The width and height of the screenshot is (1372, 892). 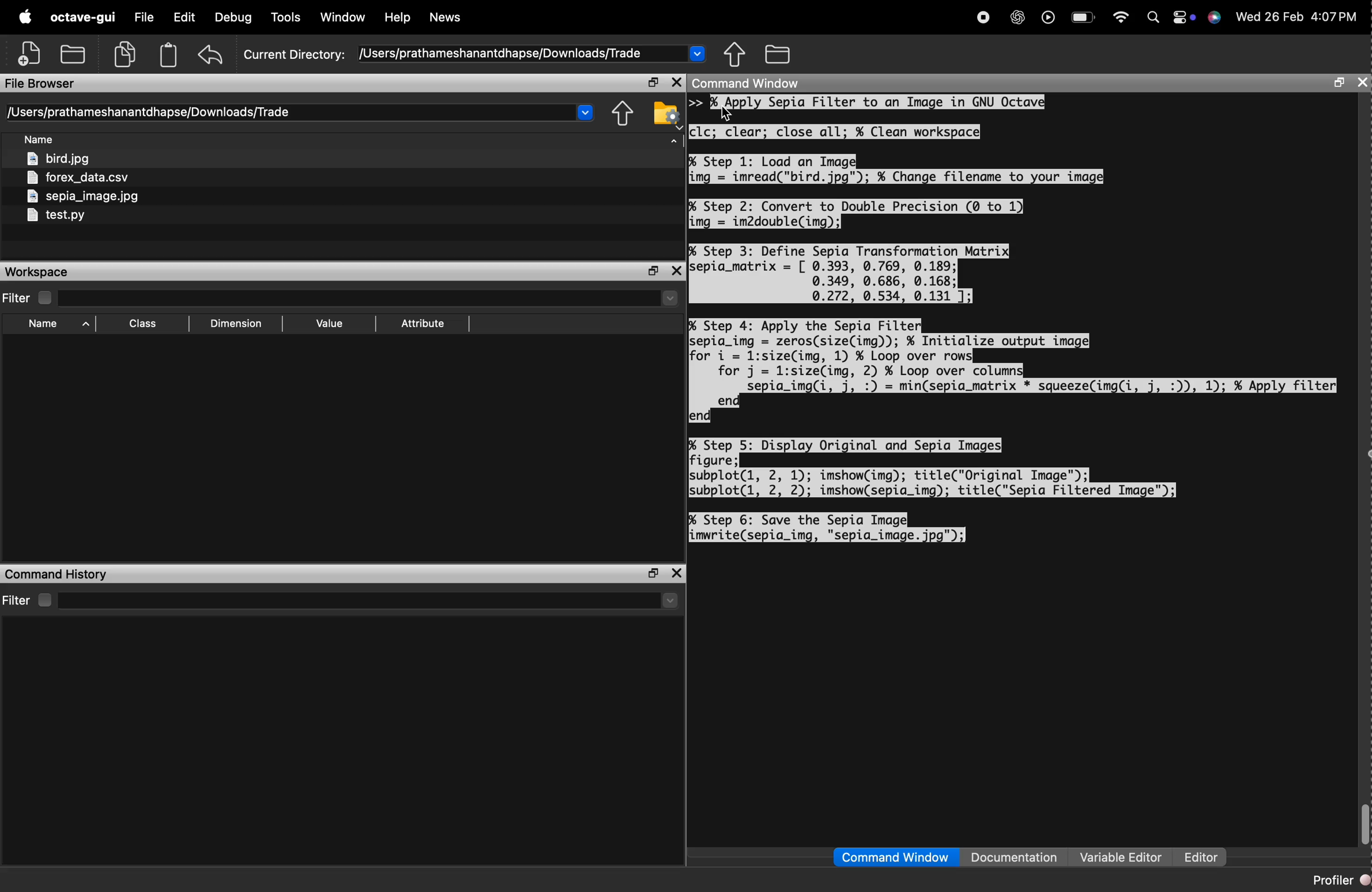 I want to click on cursor, so click(x=728, y=113).